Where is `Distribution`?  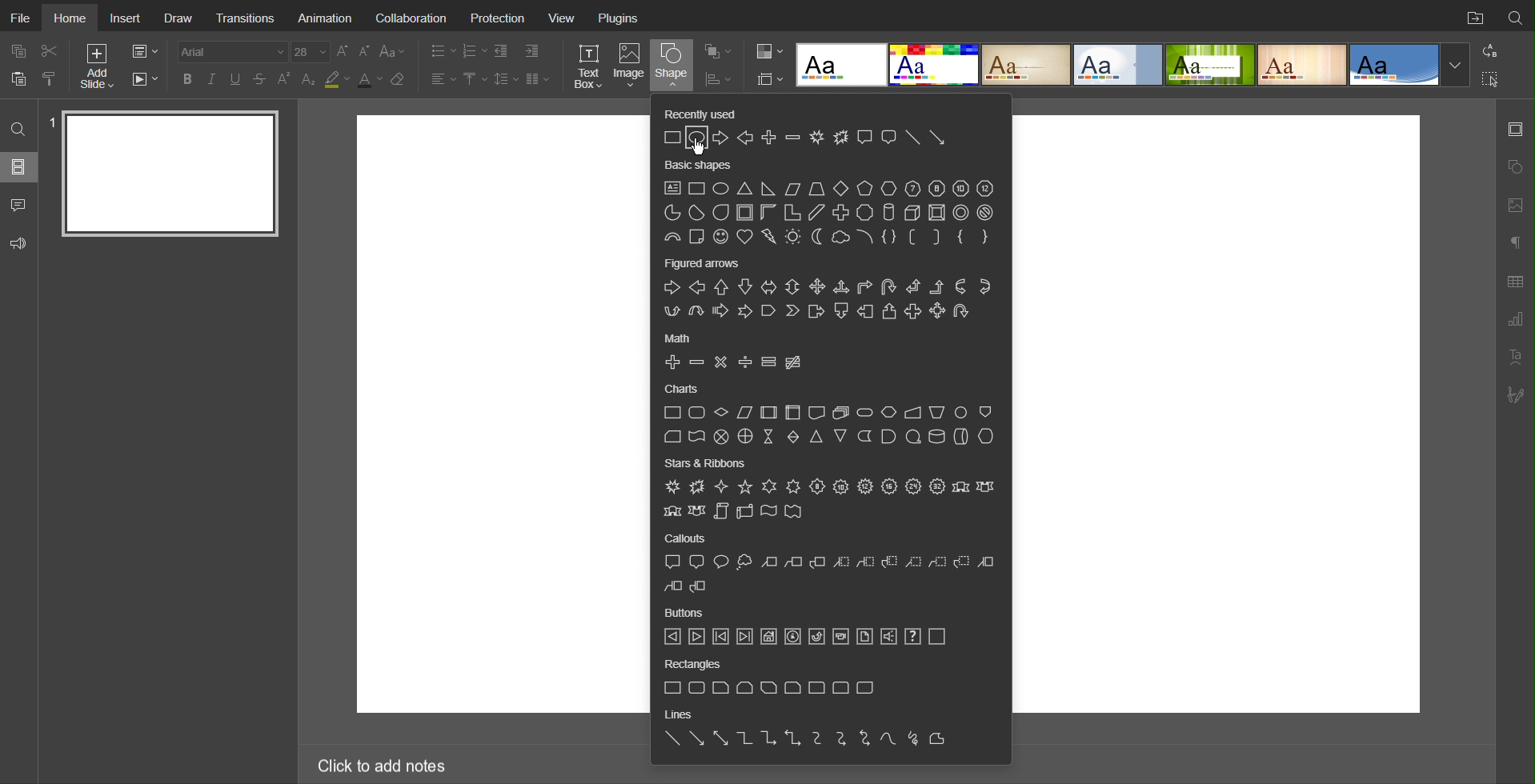 Distribution is located at coordinates (718, 78).